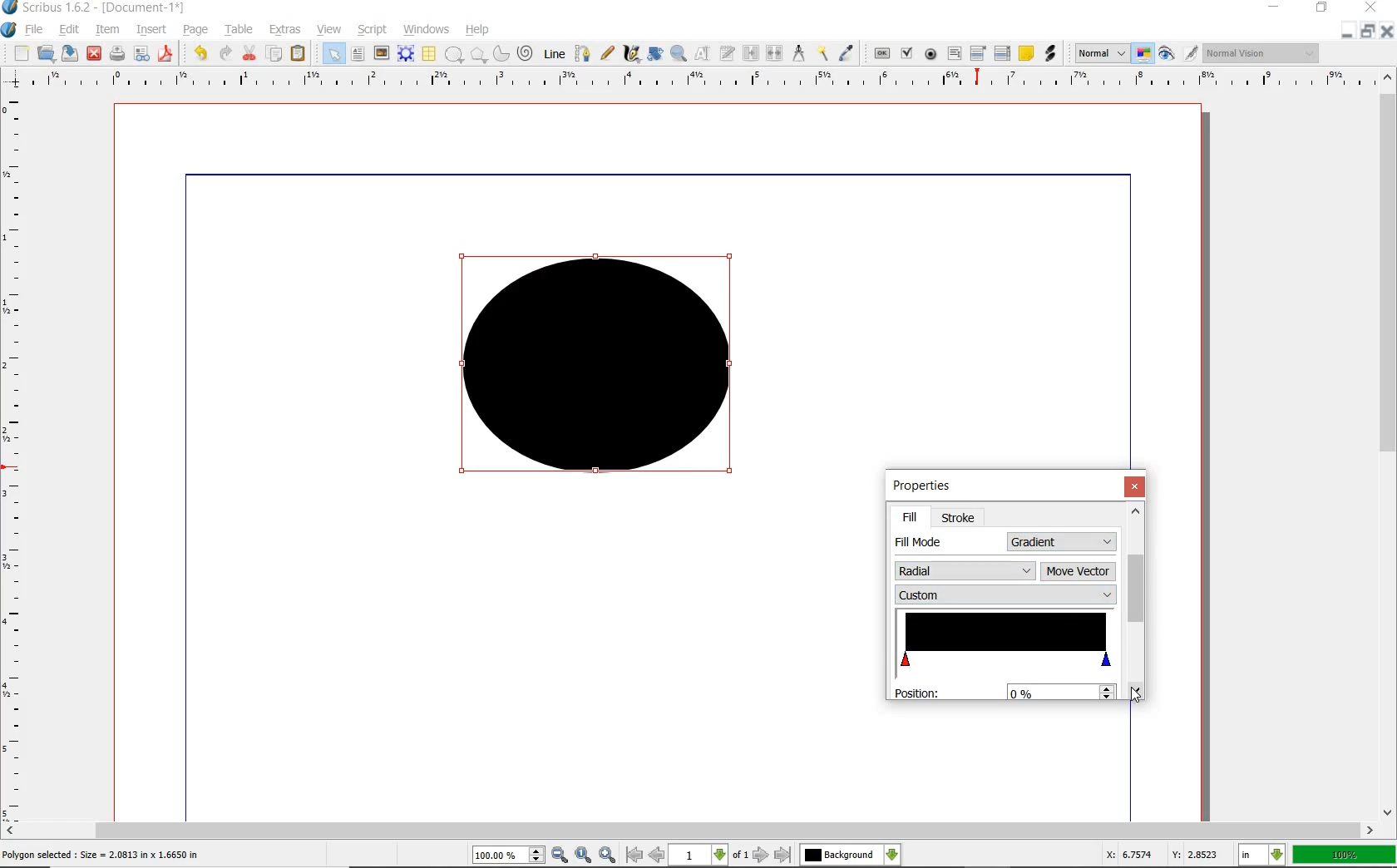 Image resolution: width=1397 pixels, height=868 pixels. Describe the element at coordinates (585, 855) in the screenshot. I see `zoom to` at that location.